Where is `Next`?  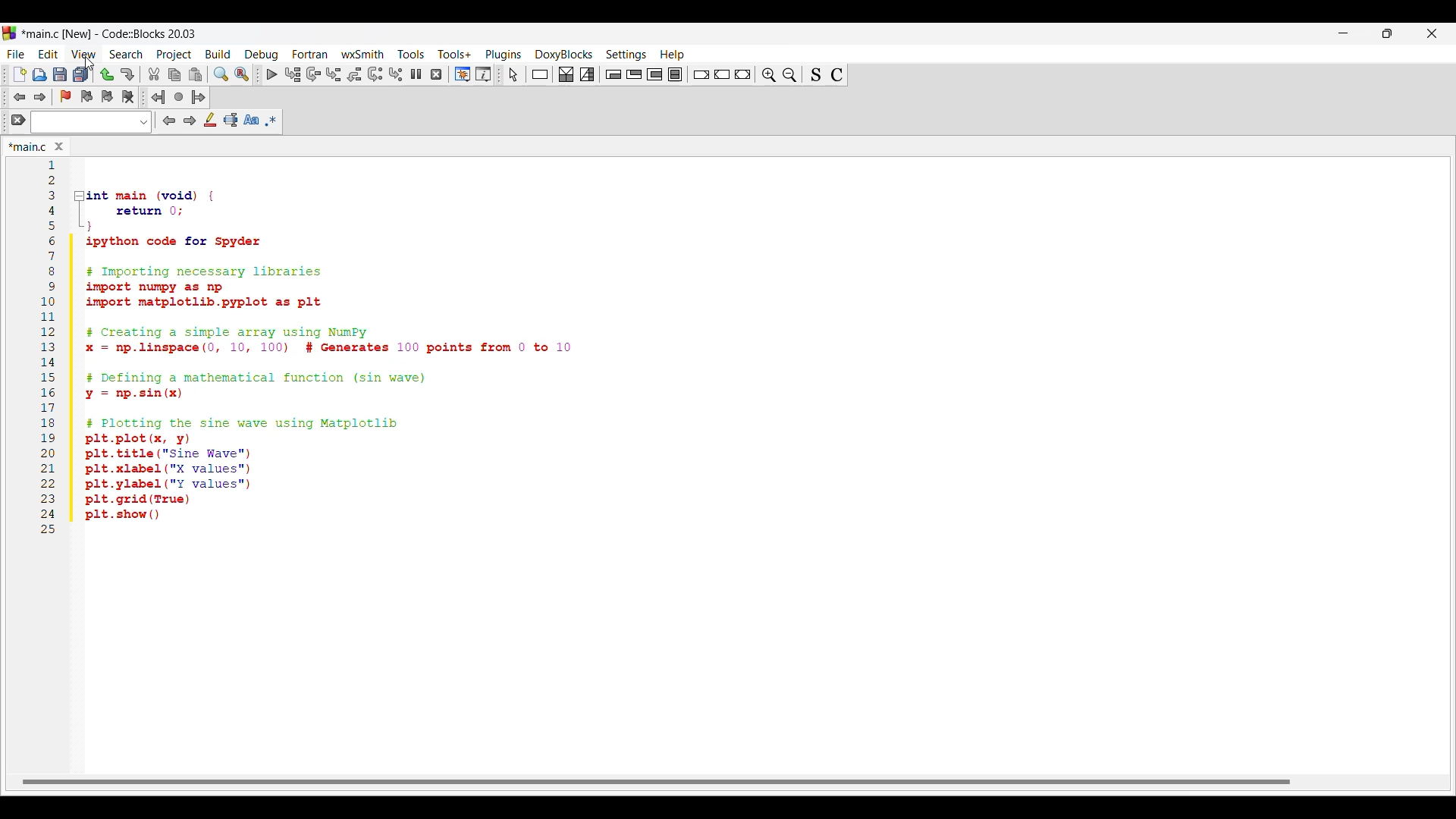
Next is located at coordinates (190, 121).